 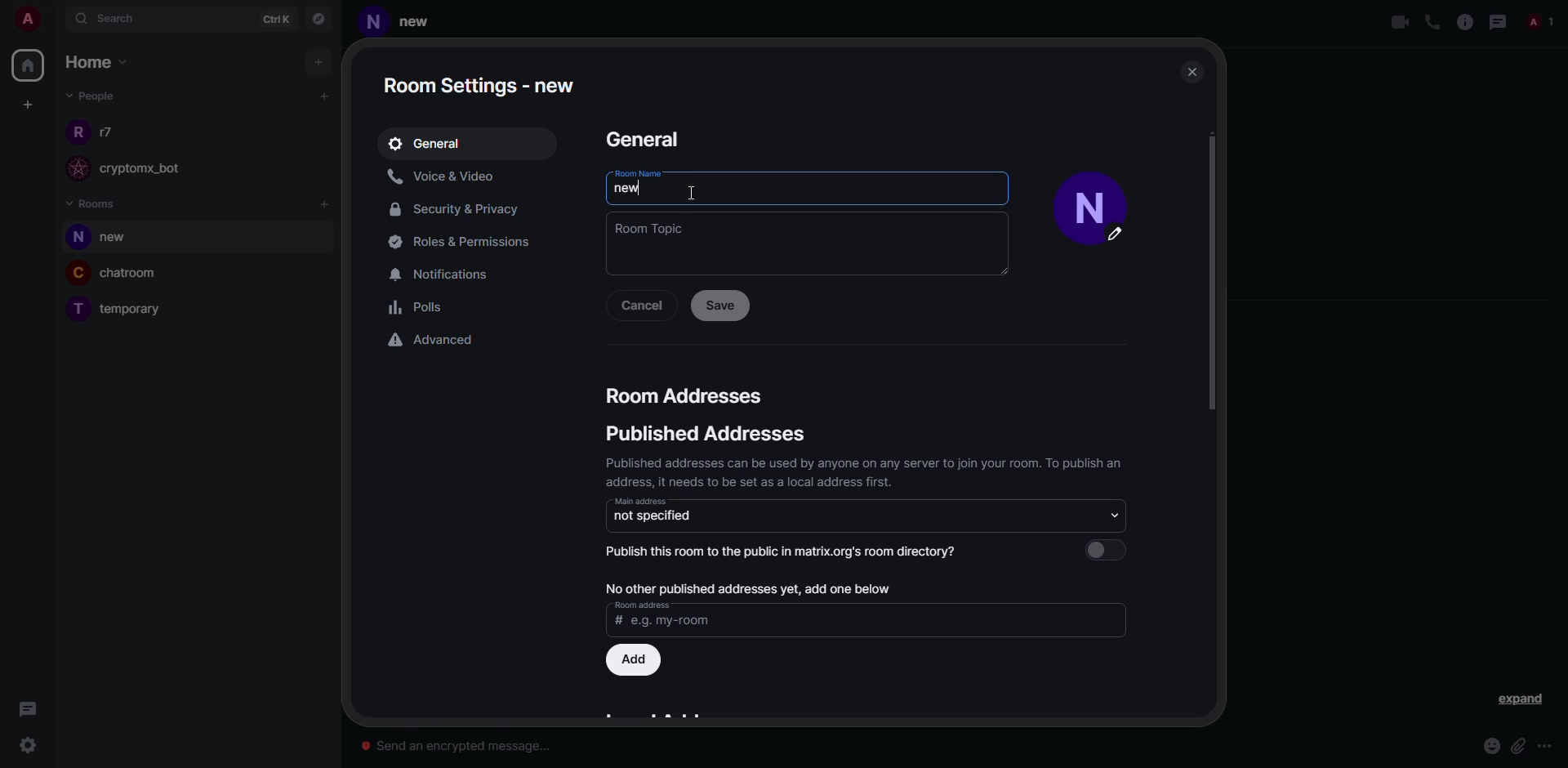 What do you see at coordinates (1110, 514) in the screenshot?
I see `drop down` at bounding box center [1110, 514].